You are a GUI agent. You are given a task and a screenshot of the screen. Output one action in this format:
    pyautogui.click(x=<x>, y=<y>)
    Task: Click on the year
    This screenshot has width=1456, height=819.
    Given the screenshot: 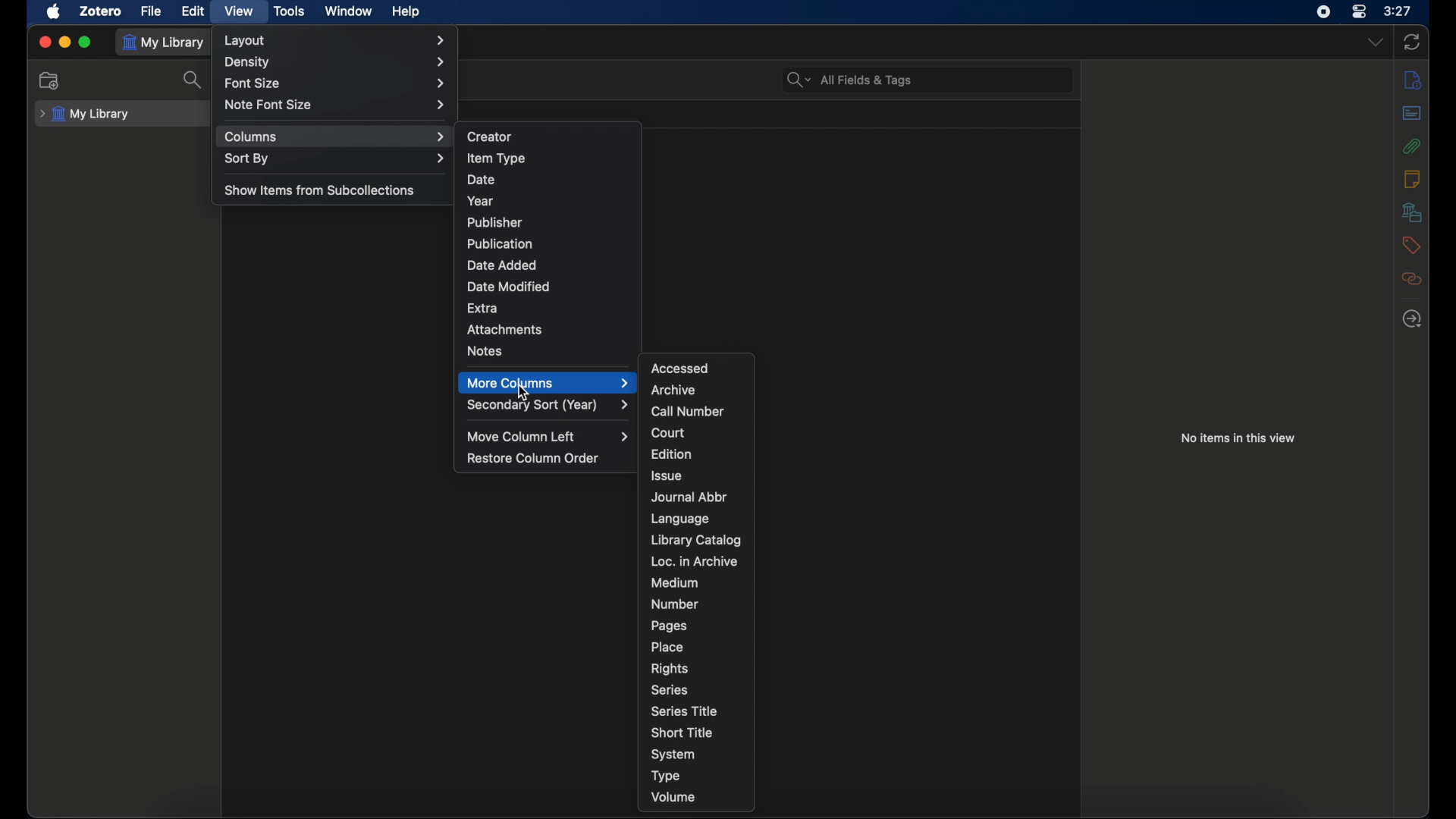 What is the action you would take?
    pyautogui.click(x=479, y=202)
    